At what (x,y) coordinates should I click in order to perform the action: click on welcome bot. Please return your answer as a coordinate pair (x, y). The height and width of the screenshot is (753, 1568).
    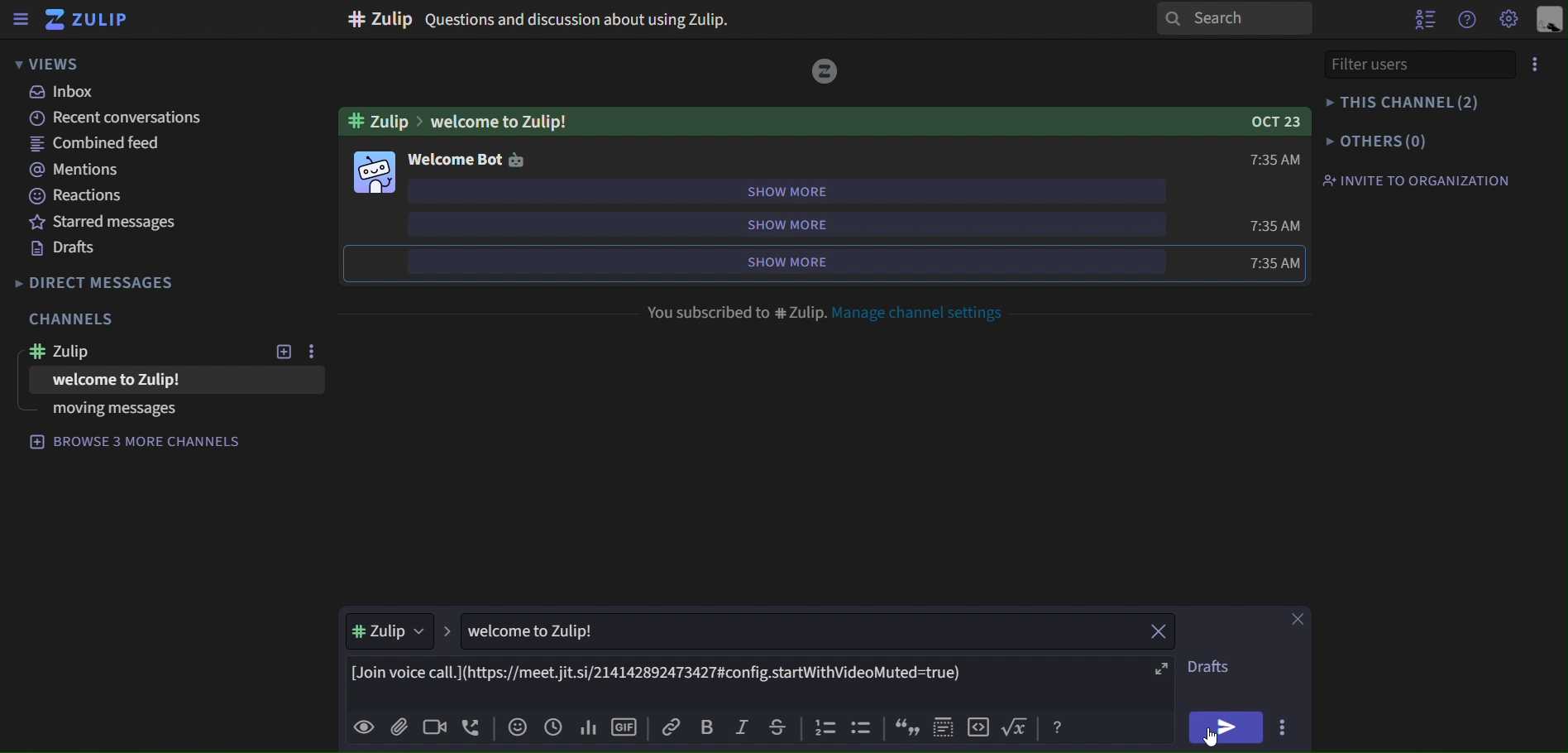
    Looking at the image, I should click on (468, 161).